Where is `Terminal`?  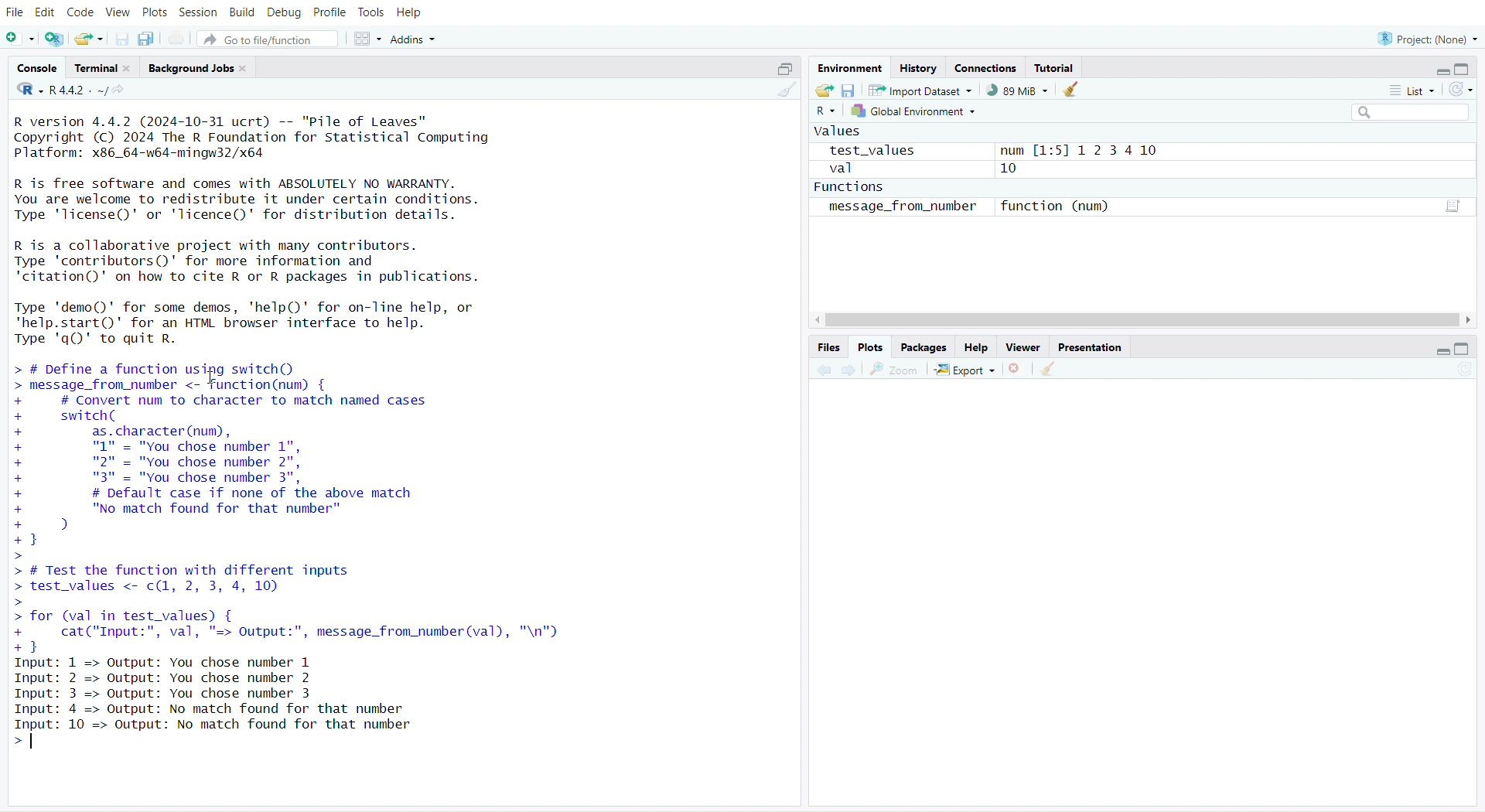 Terminal is located at coordinates (100, 67).